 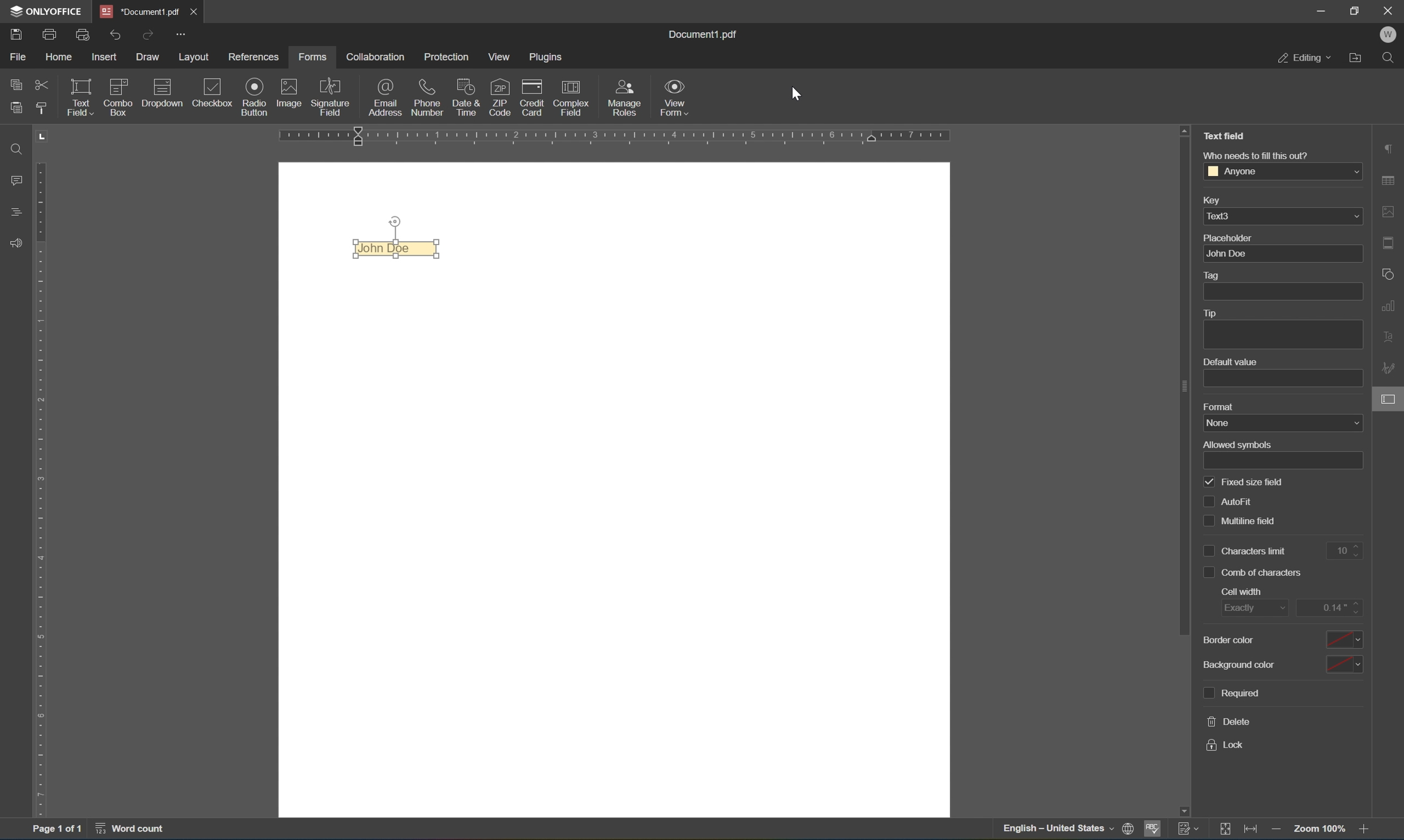 What do you see at coordinates (1217, 313) in the screenshot?
I see `tip` at bounding box center [1217, 313].